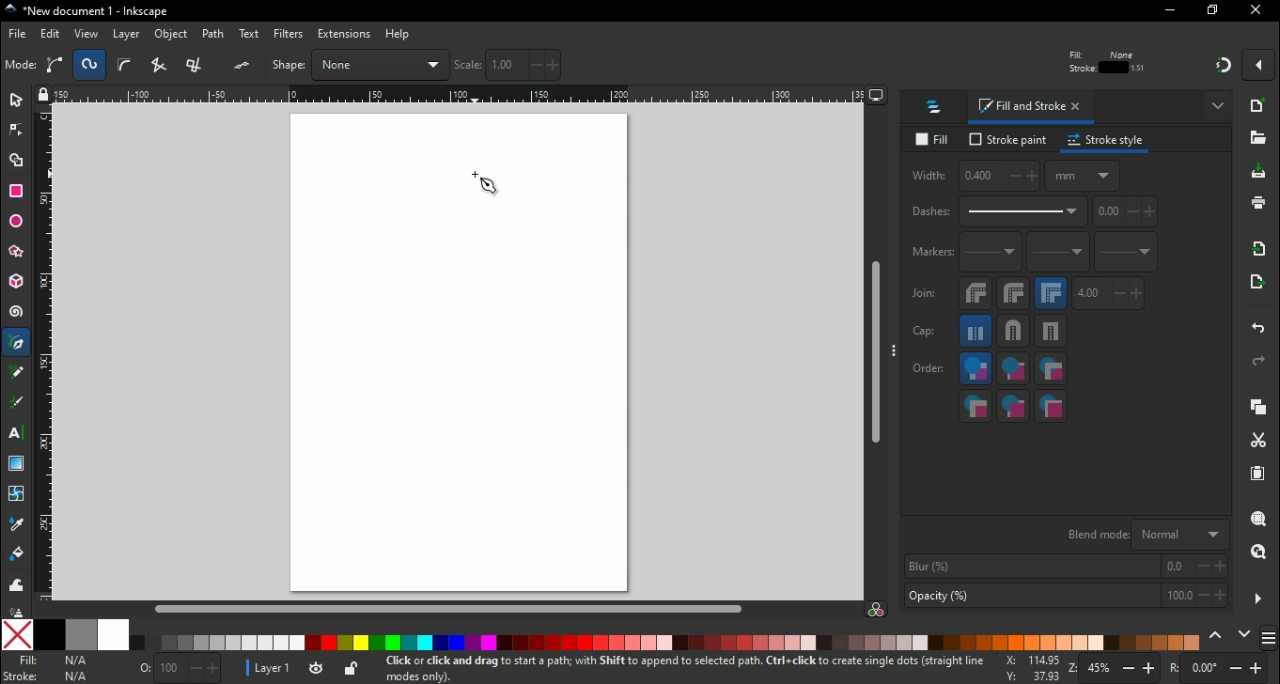  What do you see at coordinates (1258, 475) in the screenshot?
I see `paste` at bounding box center [1258, 475].